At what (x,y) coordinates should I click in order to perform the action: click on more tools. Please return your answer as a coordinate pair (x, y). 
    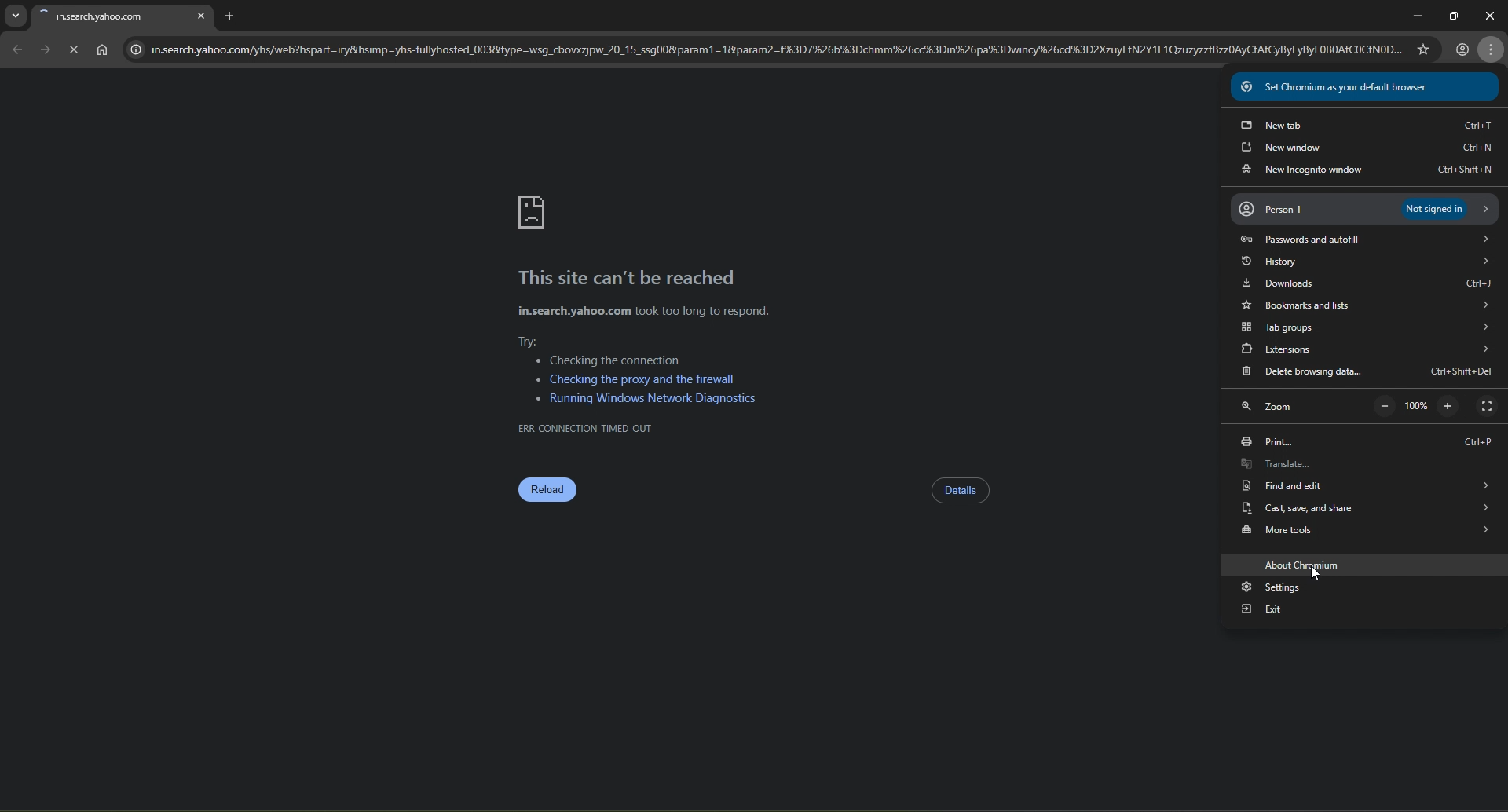
    Looking at the image, I should click on (1363, 532).